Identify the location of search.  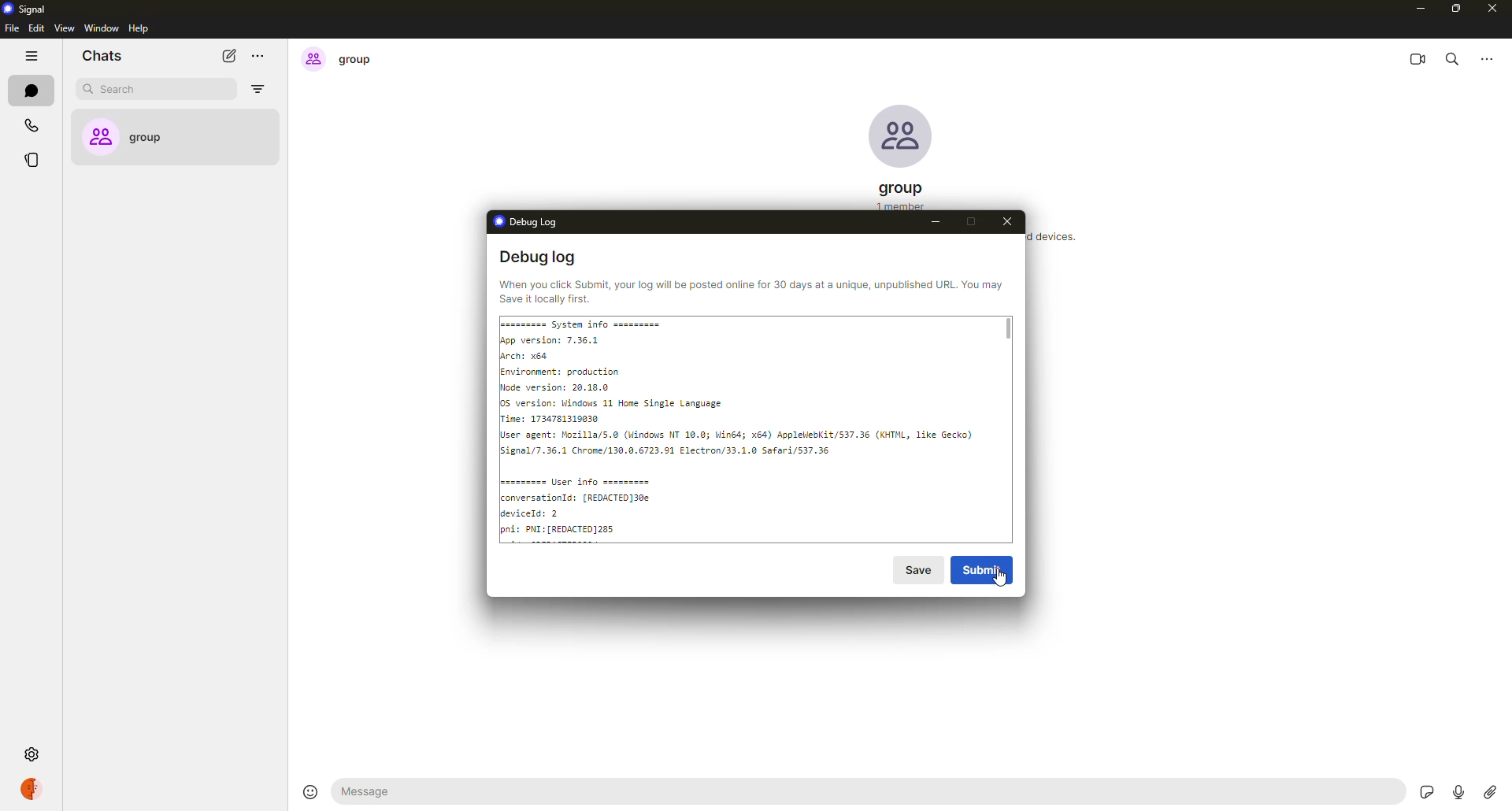
(1457, 57).